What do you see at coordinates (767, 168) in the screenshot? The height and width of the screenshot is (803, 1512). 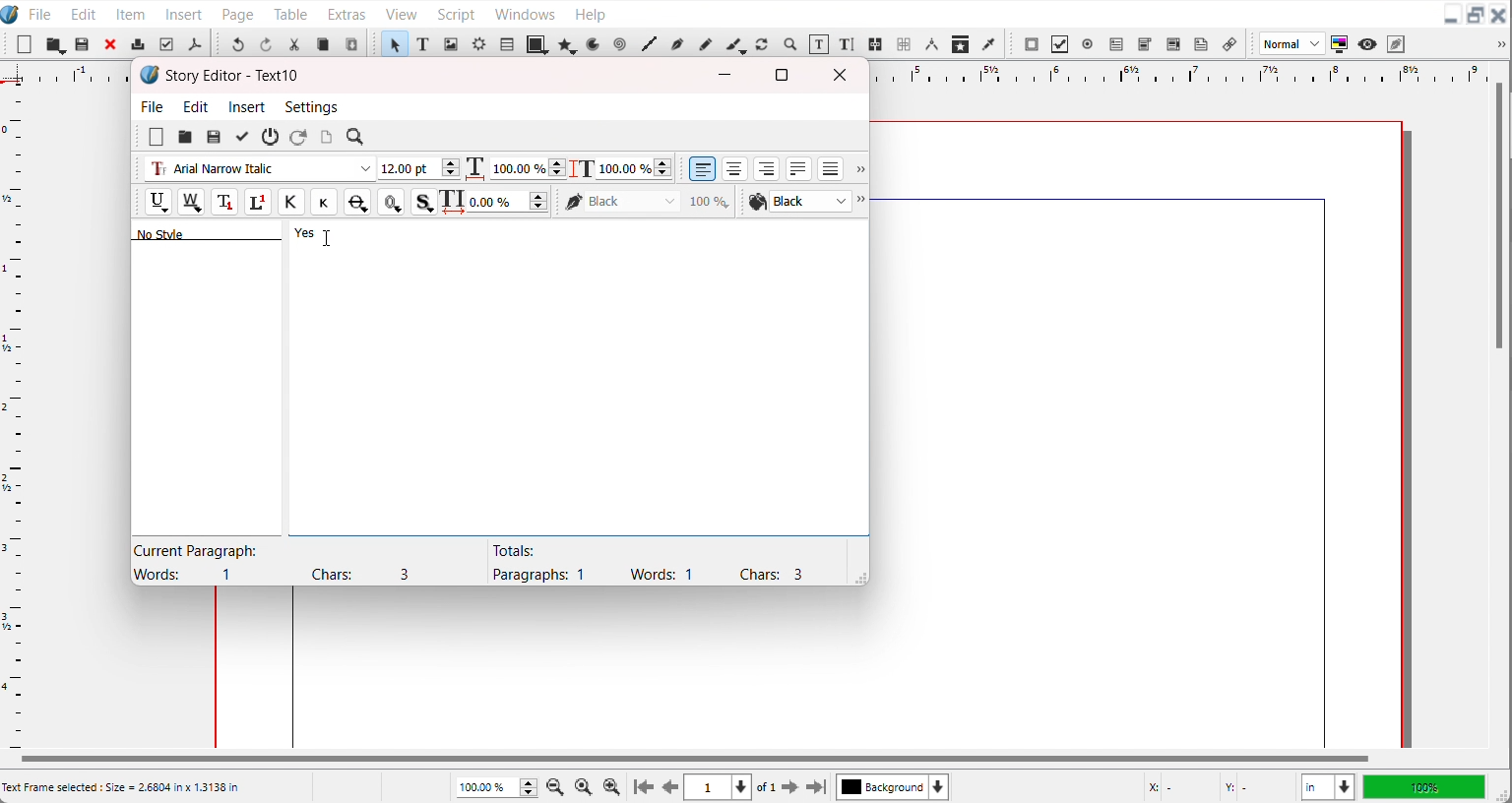 I see `Align text right` at bounding box center [767, 168].